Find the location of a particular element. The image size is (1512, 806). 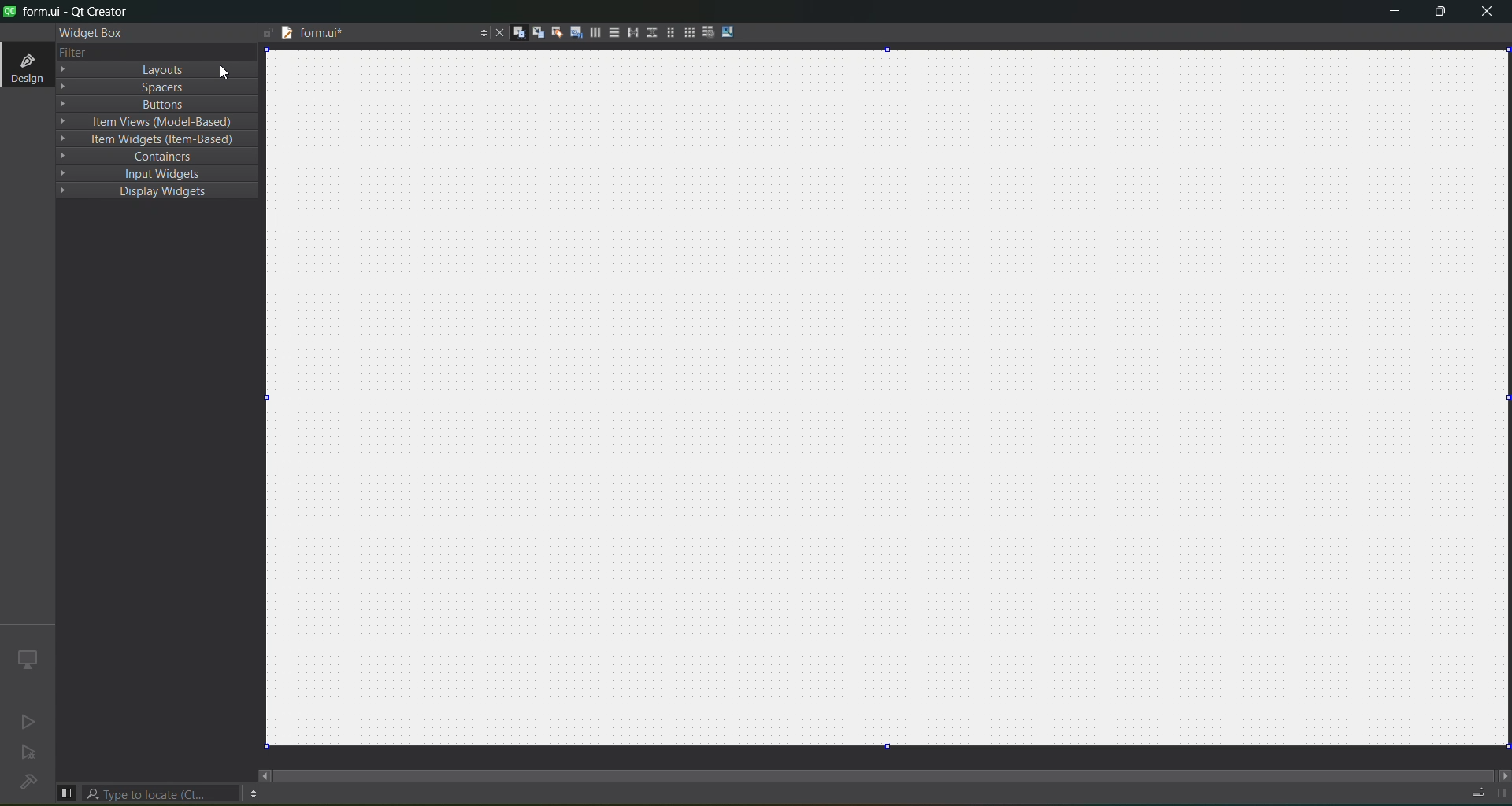

edit buddies is located at coordinates (554, 31).